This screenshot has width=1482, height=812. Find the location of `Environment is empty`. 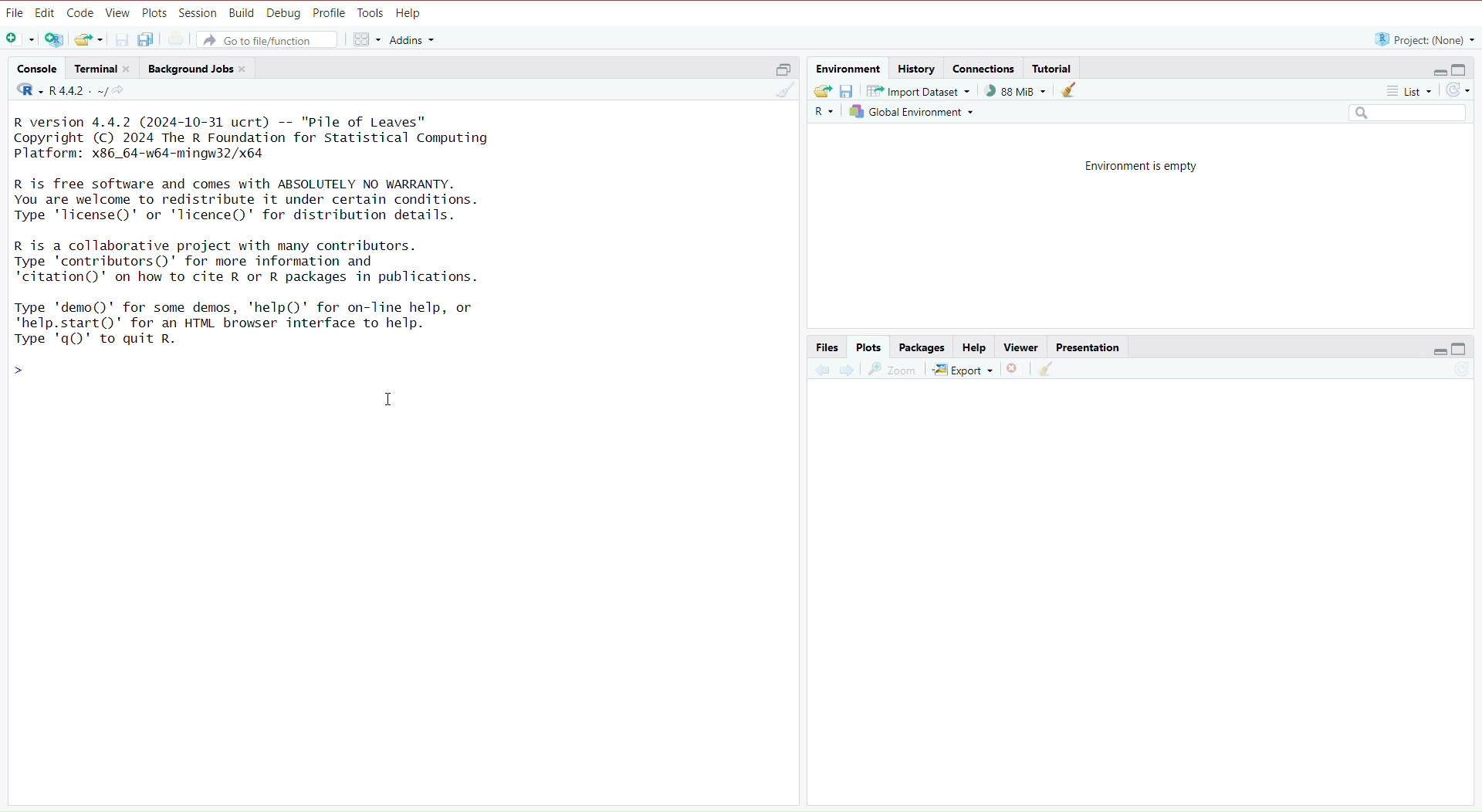

Environment is empty is located at coordinates (1143, 165).